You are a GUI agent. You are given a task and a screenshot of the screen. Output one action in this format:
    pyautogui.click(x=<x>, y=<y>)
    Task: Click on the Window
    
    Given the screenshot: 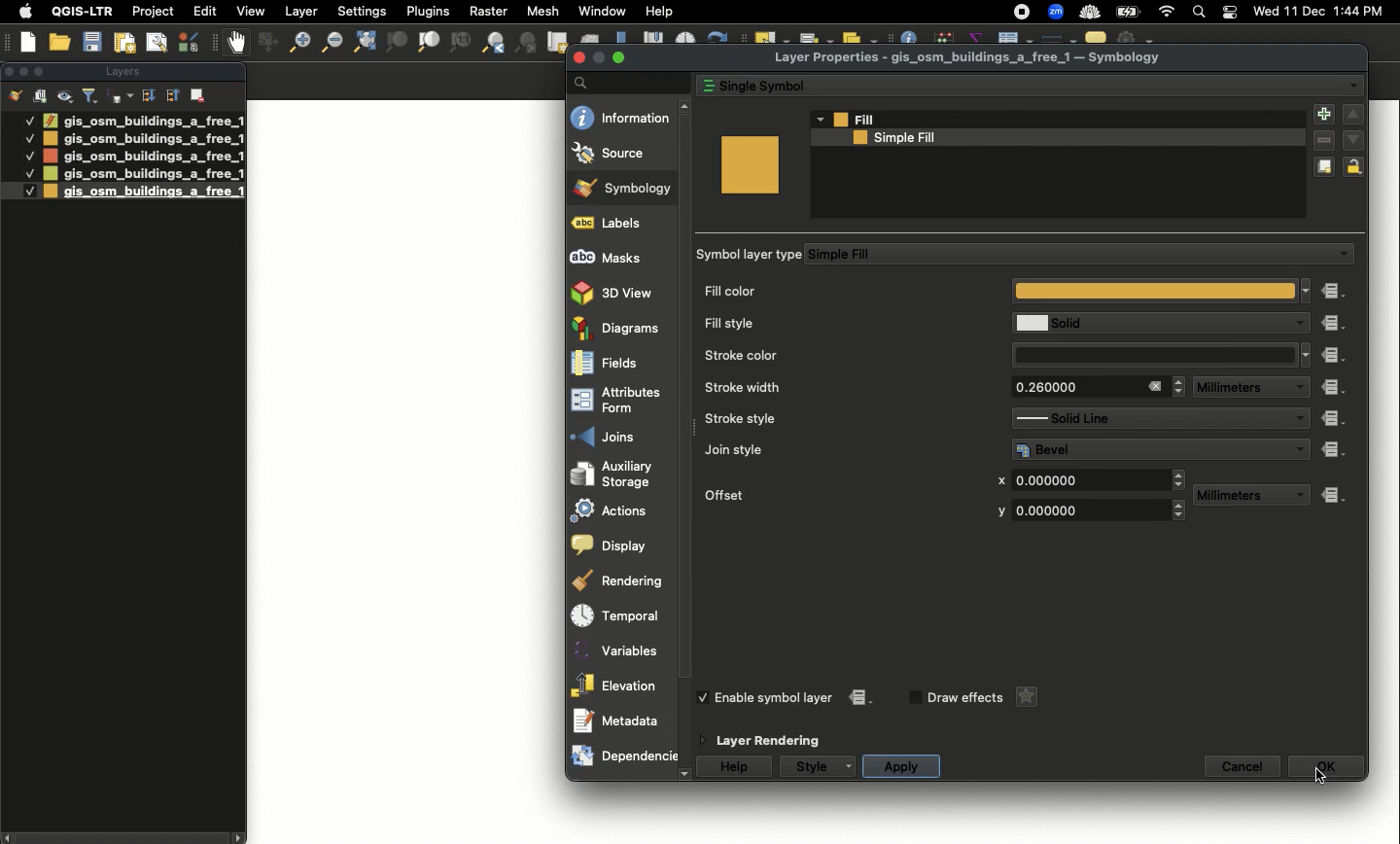 What is the action you would take?
    pyautogui.click(x=602, y=11)
    